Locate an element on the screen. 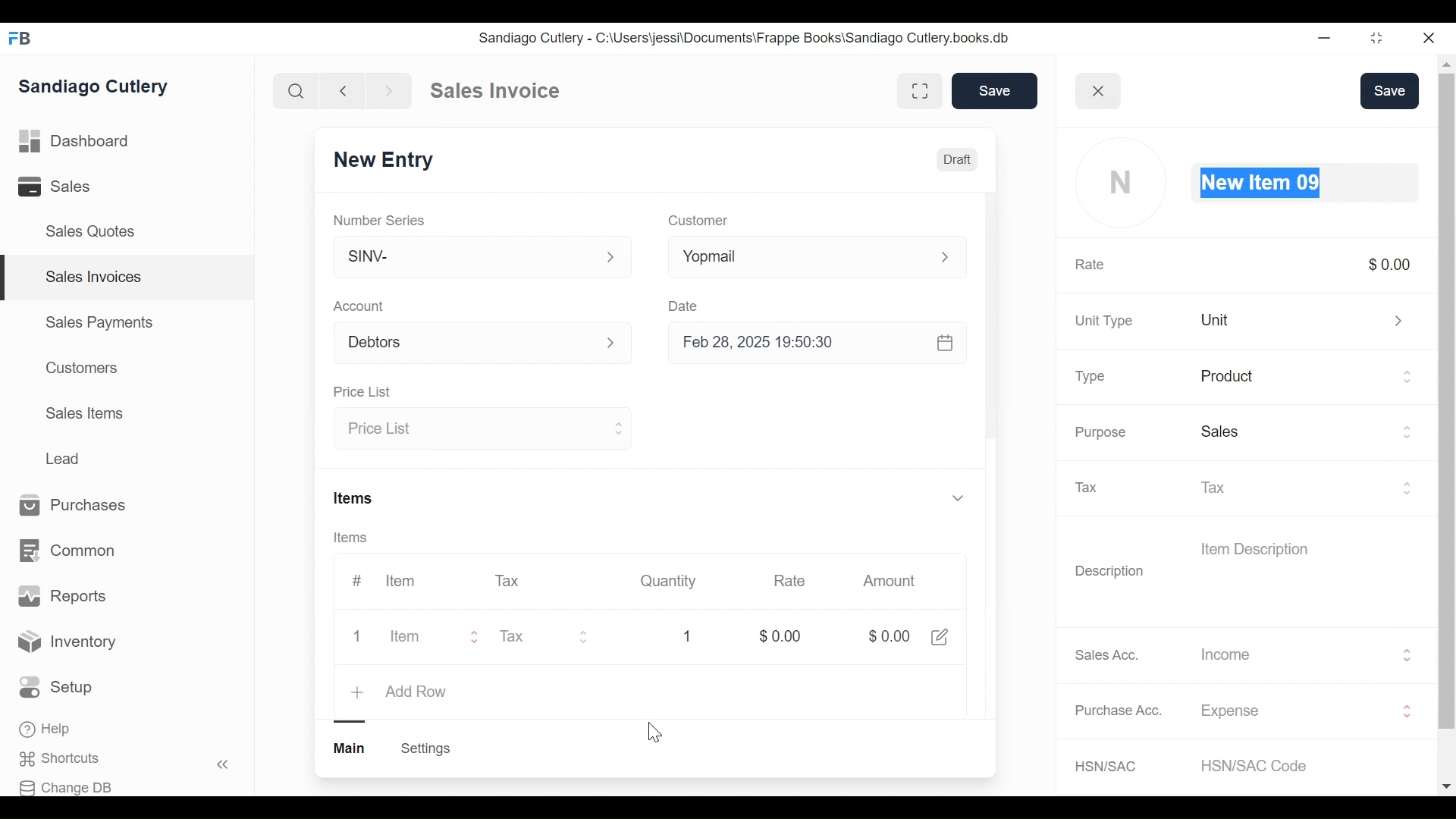 The height and width of the screenshot is (819, 1456). Change DB is located at coordinates (66, 788).